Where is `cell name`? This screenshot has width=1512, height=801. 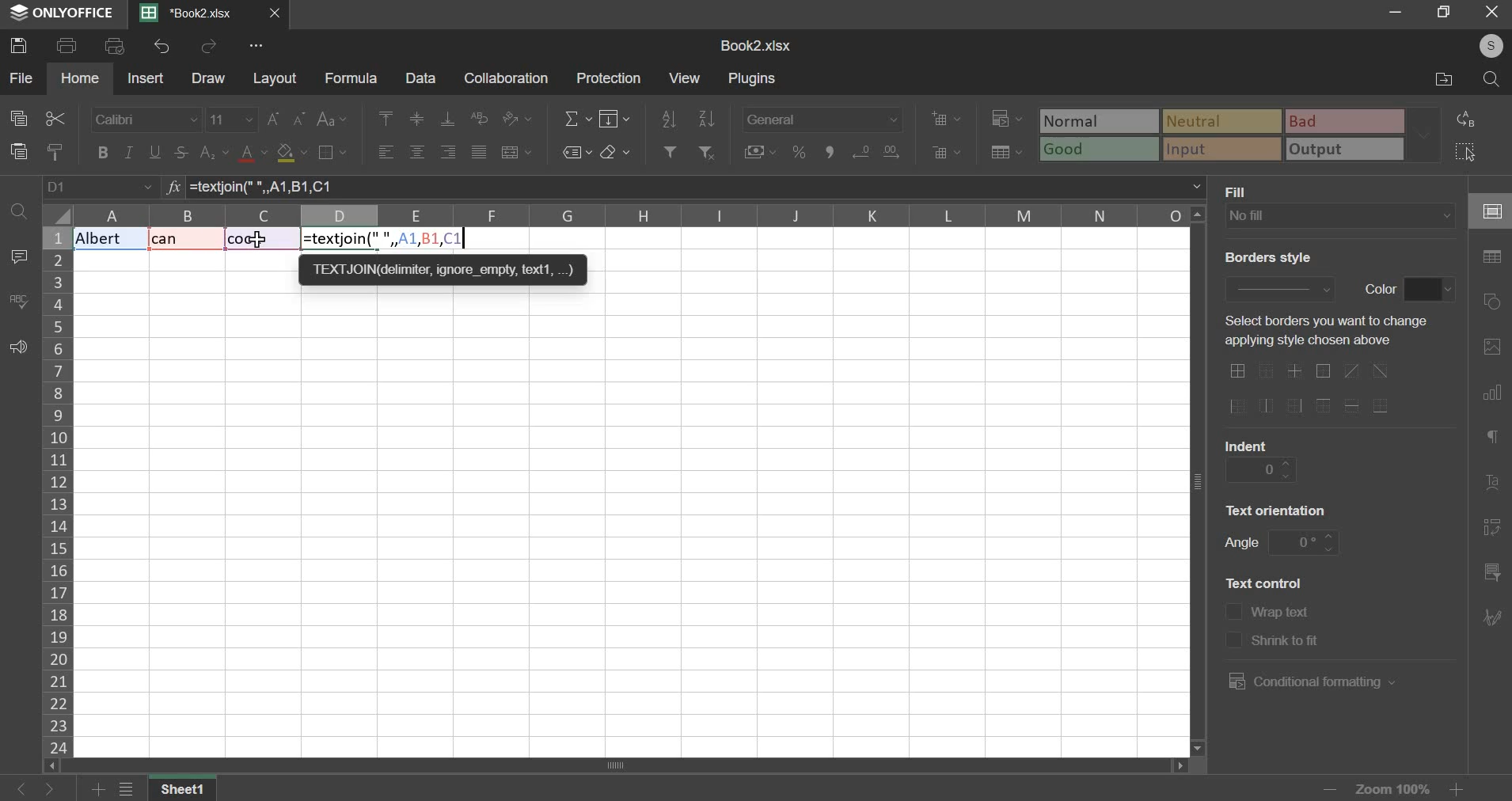
cell name is located at coordinates (101, 188).